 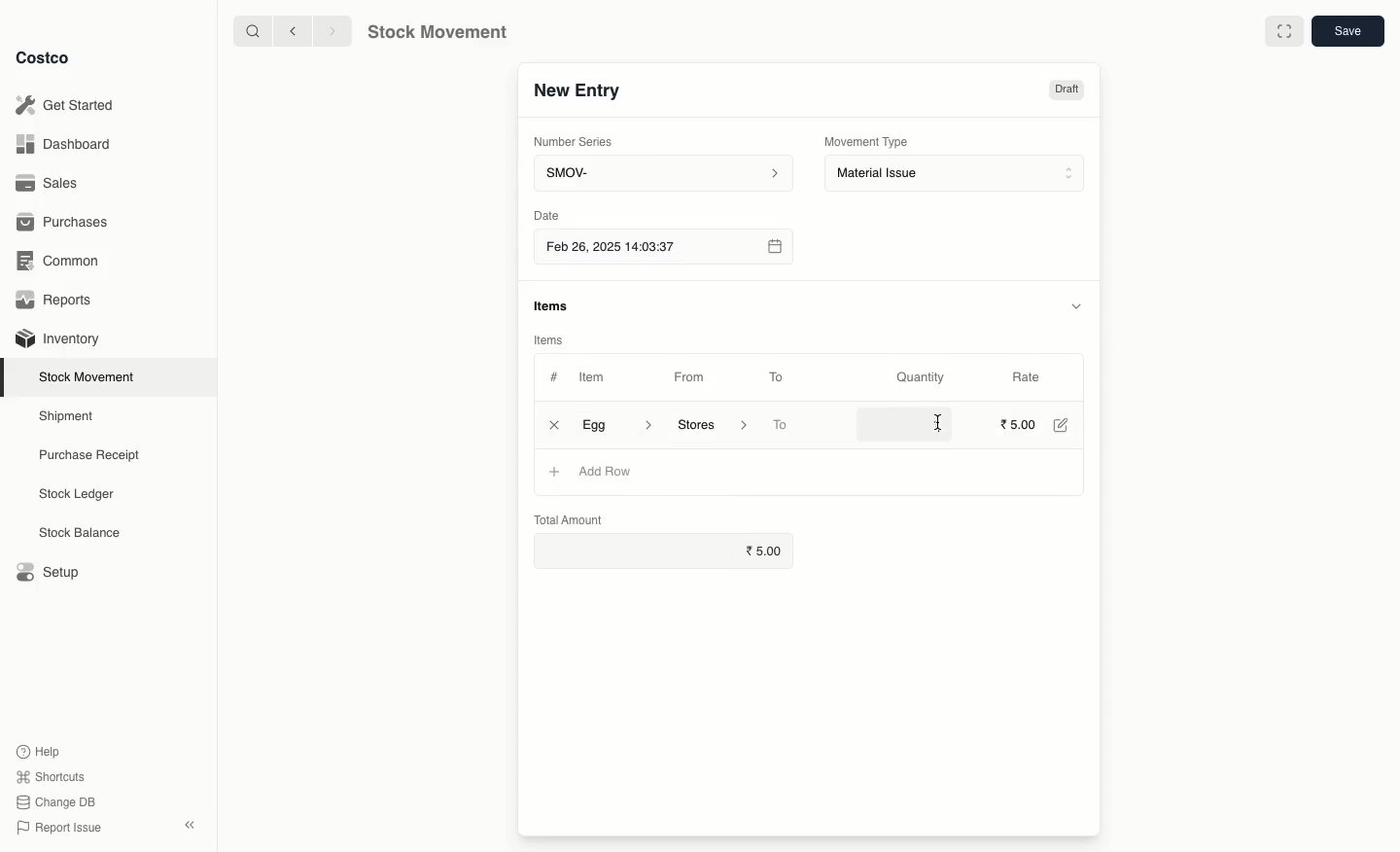 I want to click on Egg, so click(x=617, y=424).